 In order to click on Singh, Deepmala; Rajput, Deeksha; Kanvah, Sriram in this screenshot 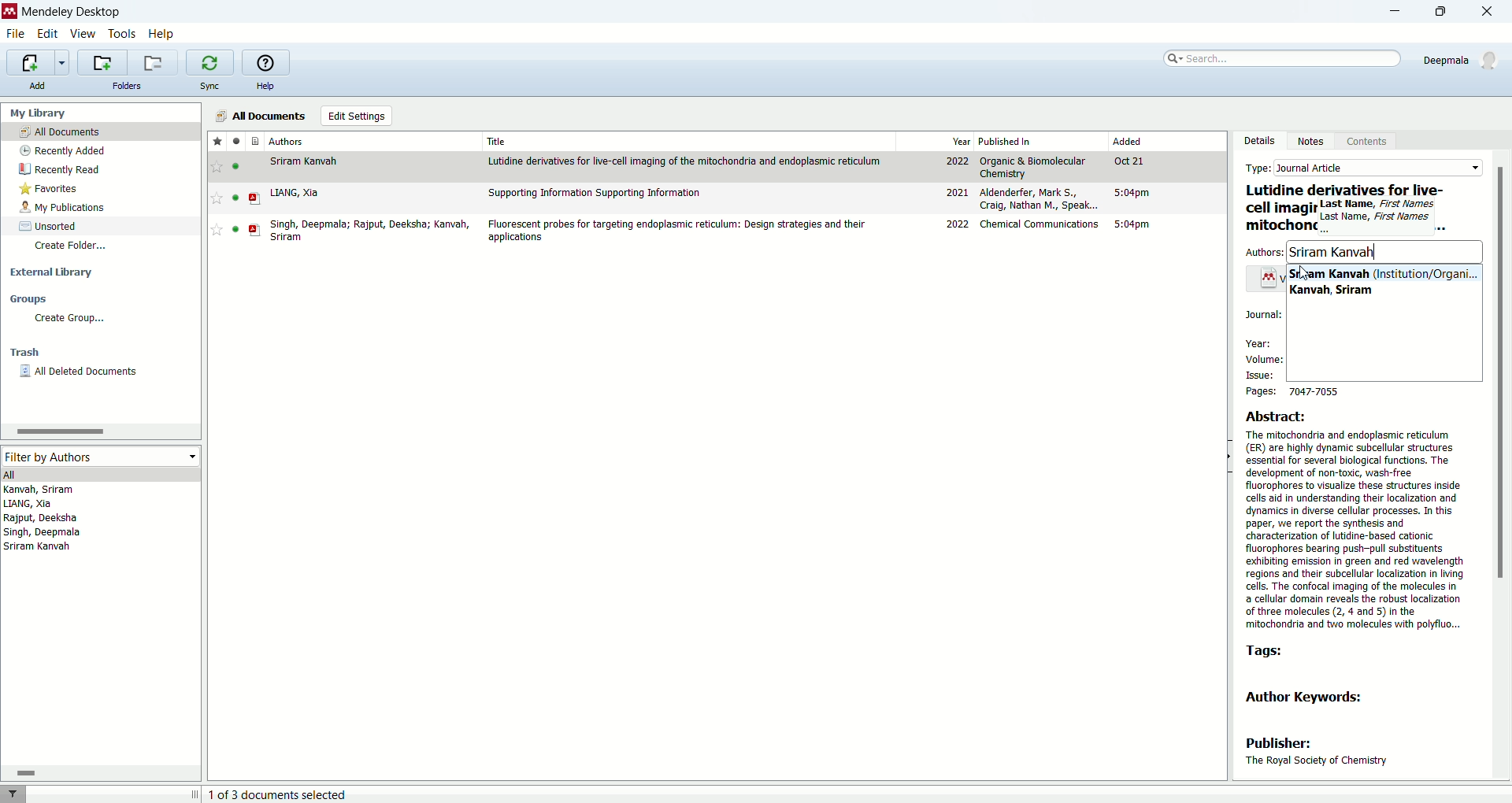, I will do `click(374, 230)`.